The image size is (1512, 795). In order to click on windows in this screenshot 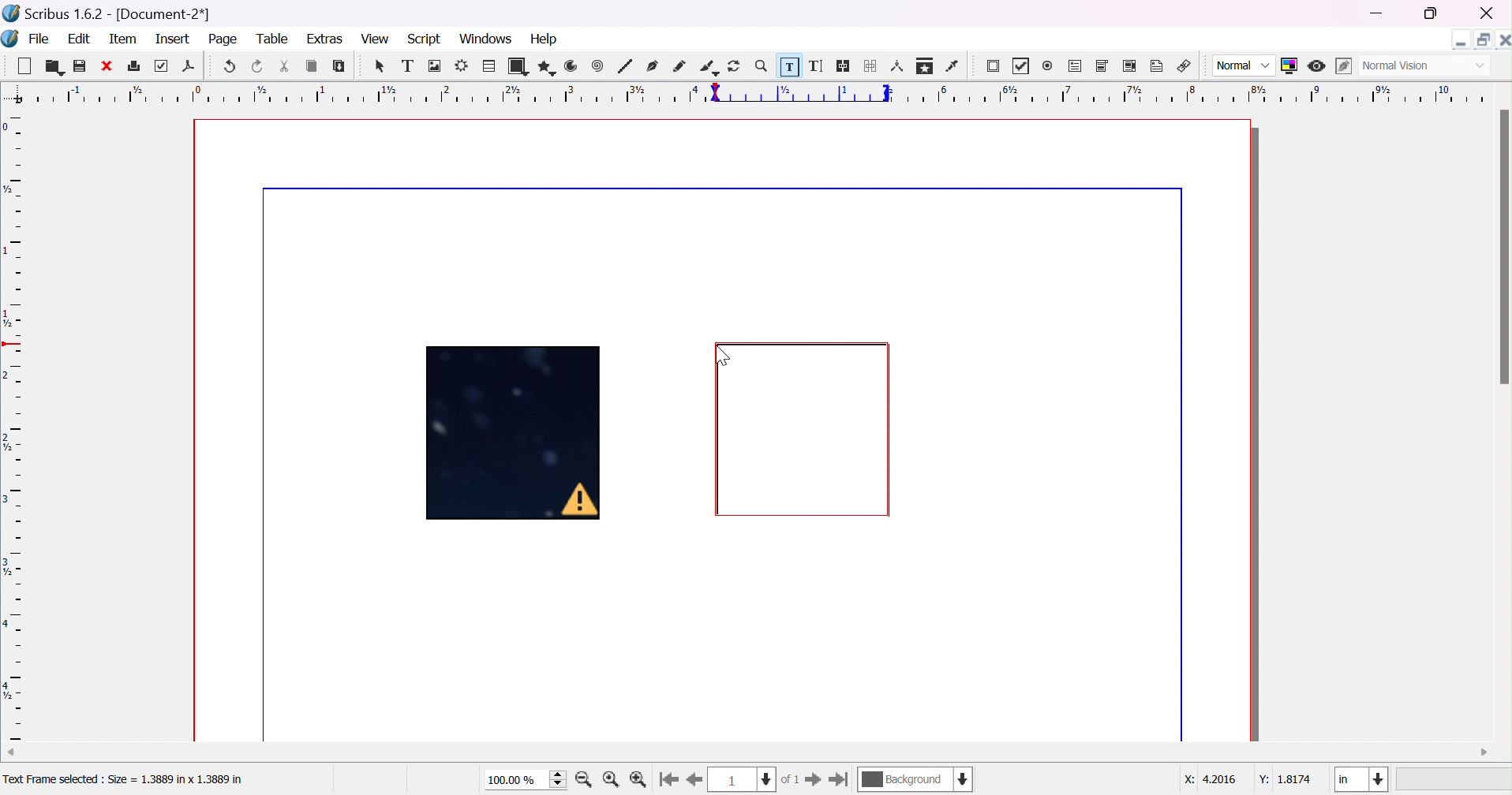, I will do `click(485, 40)`.